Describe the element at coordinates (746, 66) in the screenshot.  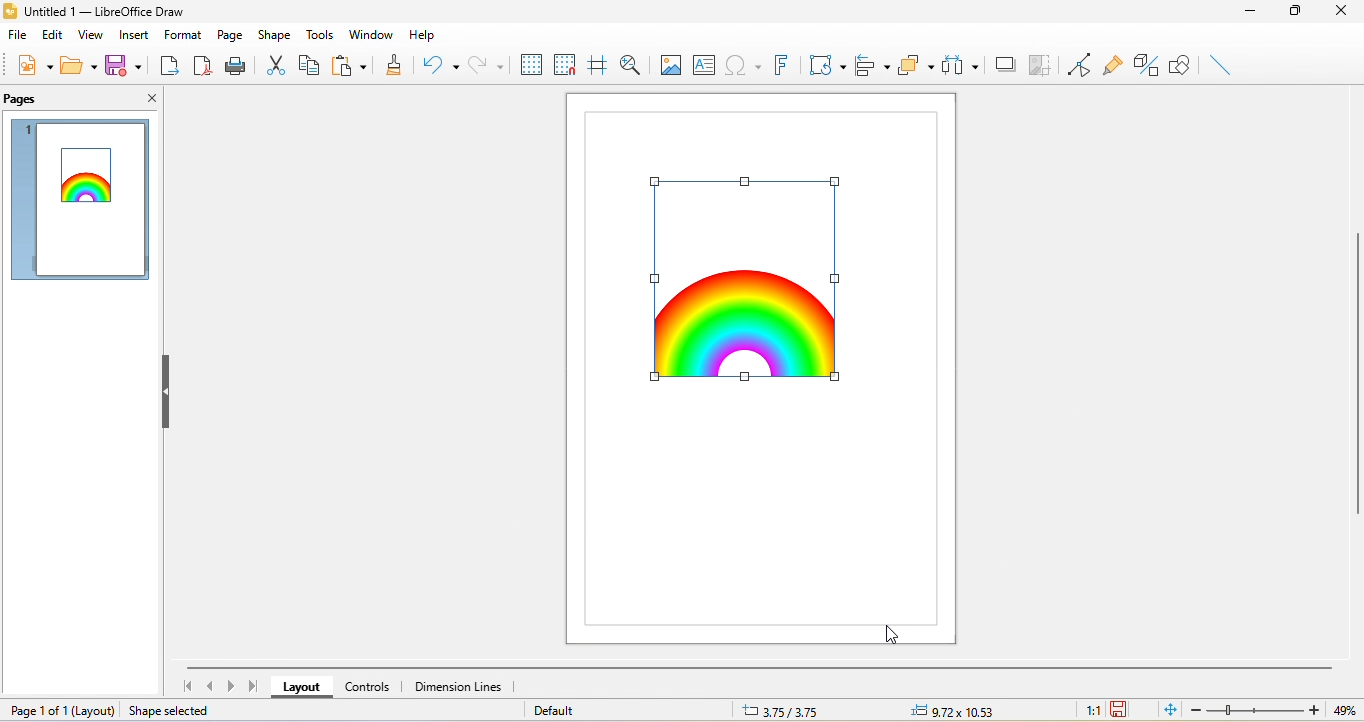
I see `special character` at that location.